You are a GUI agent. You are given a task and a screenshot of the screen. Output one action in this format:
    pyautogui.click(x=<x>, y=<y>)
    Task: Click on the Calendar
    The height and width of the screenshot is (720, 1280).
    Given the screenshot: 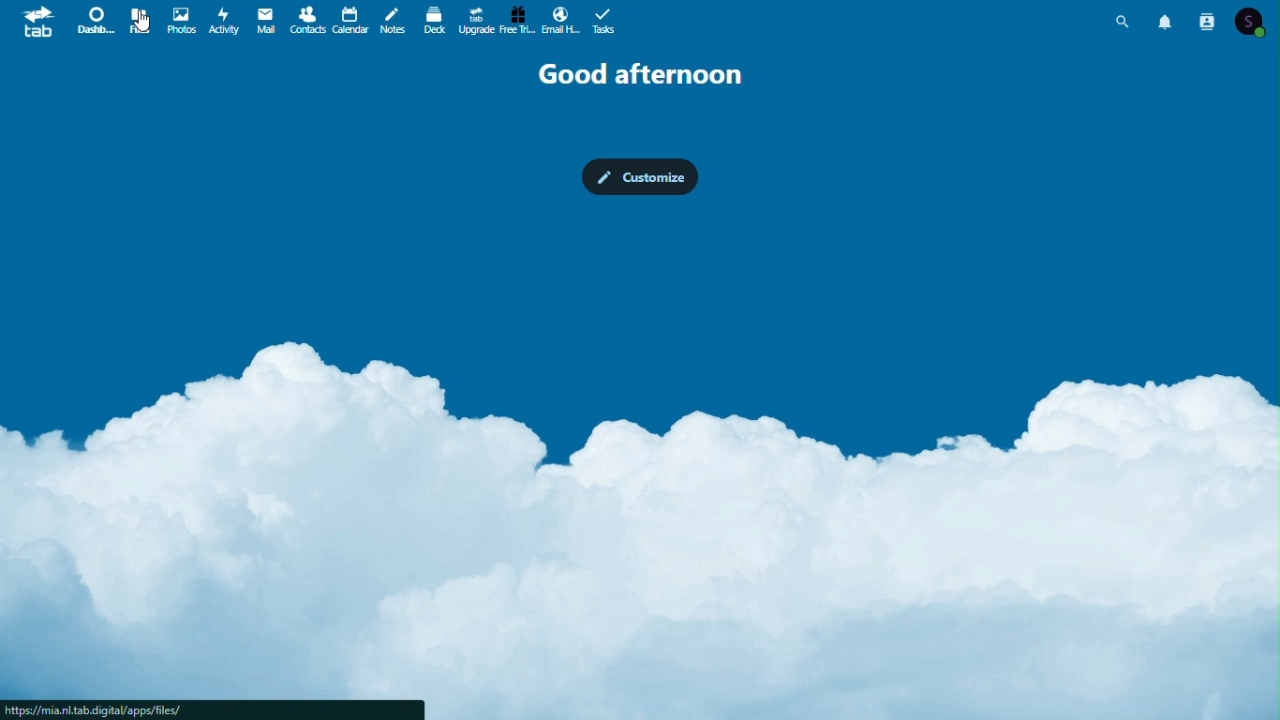 What is the action you would take?
    pyautogui.click(x=350, y=22)
    